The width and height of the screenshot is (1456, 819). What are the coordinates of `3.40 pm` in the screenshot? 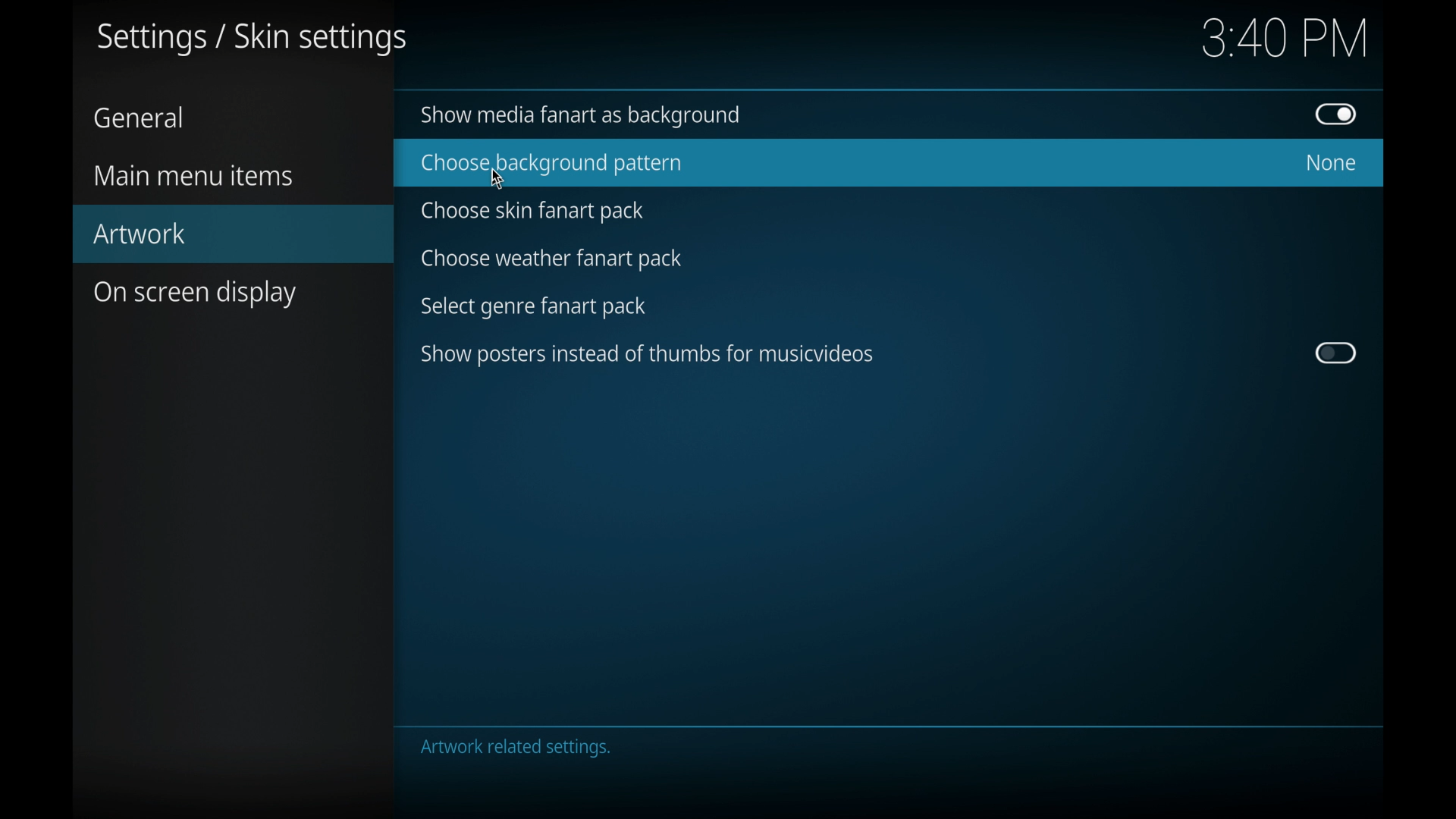 It's located at (1286, 38).